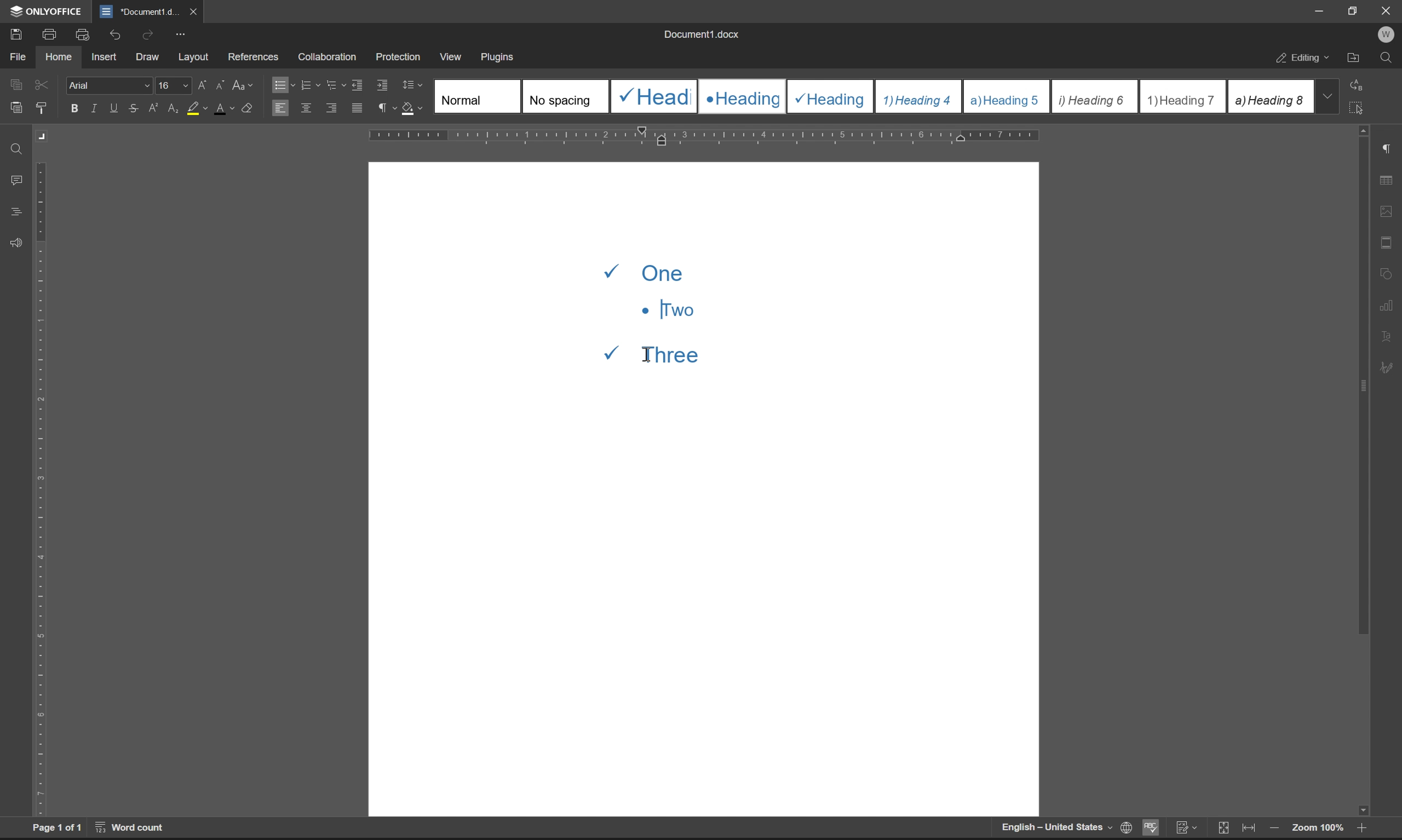  I want to click on print preview, so click(84, 35).